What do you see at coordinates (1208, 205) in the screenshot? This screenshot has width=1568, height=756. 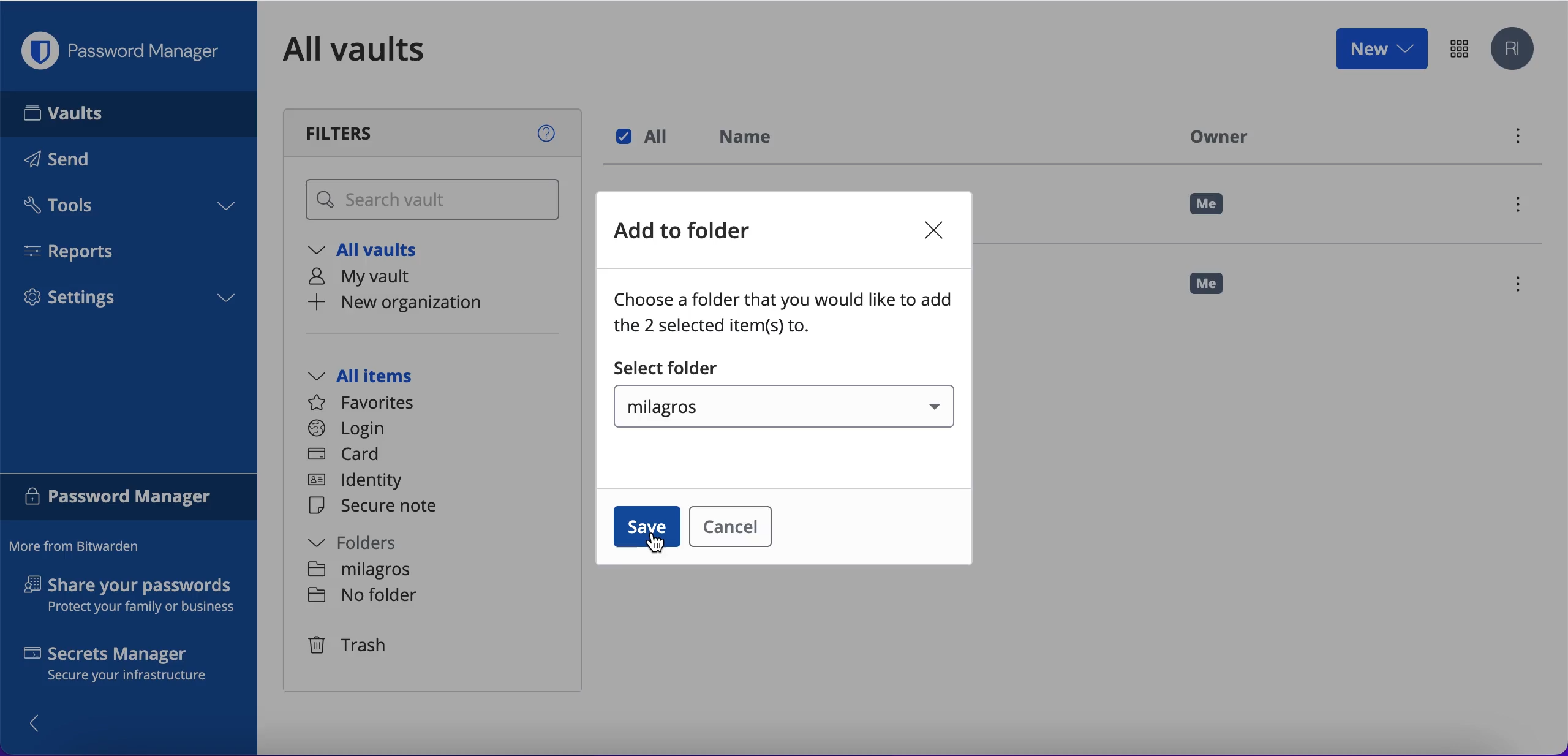 I see `me` at bounding box center [1208, 205].